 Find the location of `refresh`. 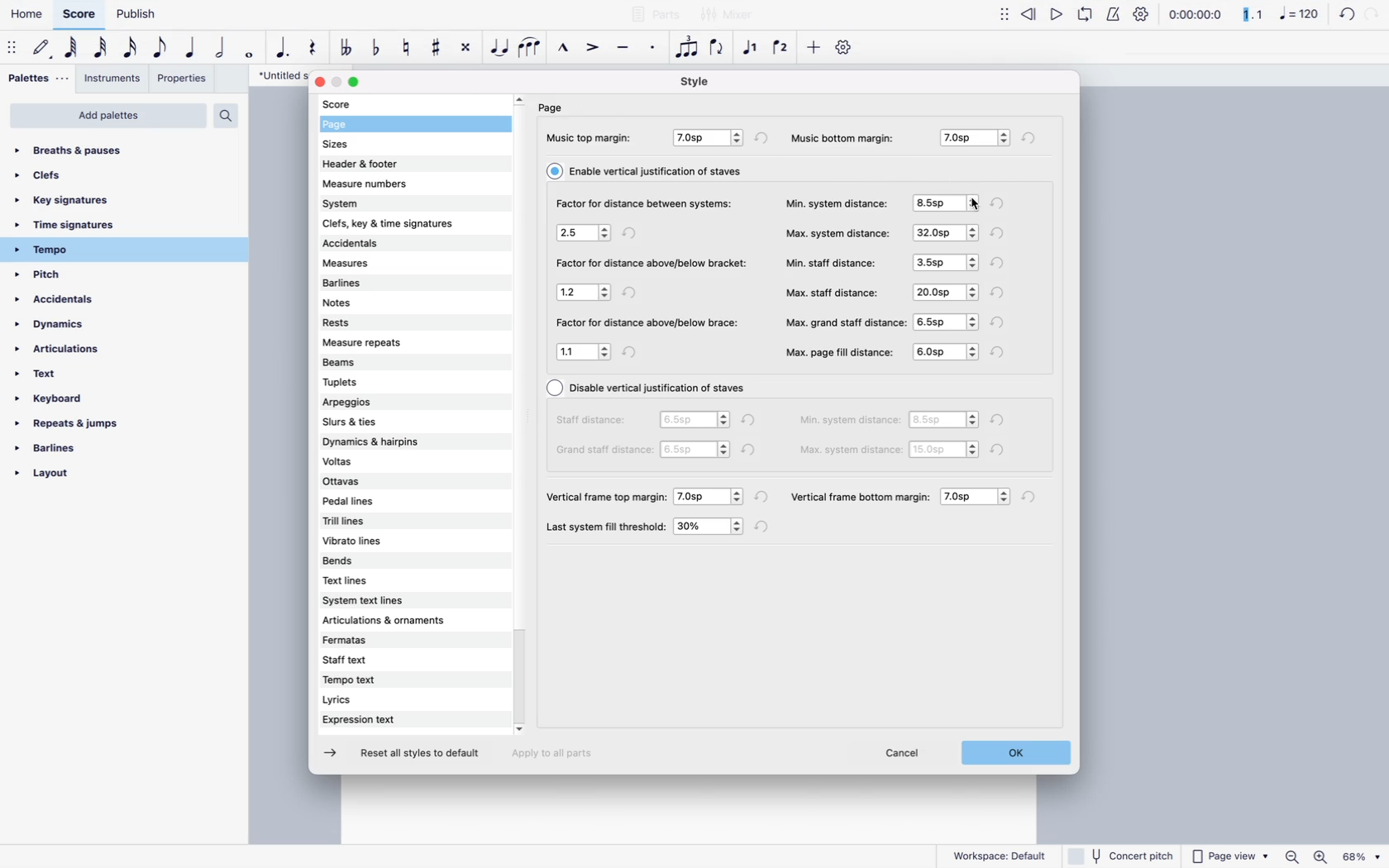

refresh is located at coordinates (1001, 263).